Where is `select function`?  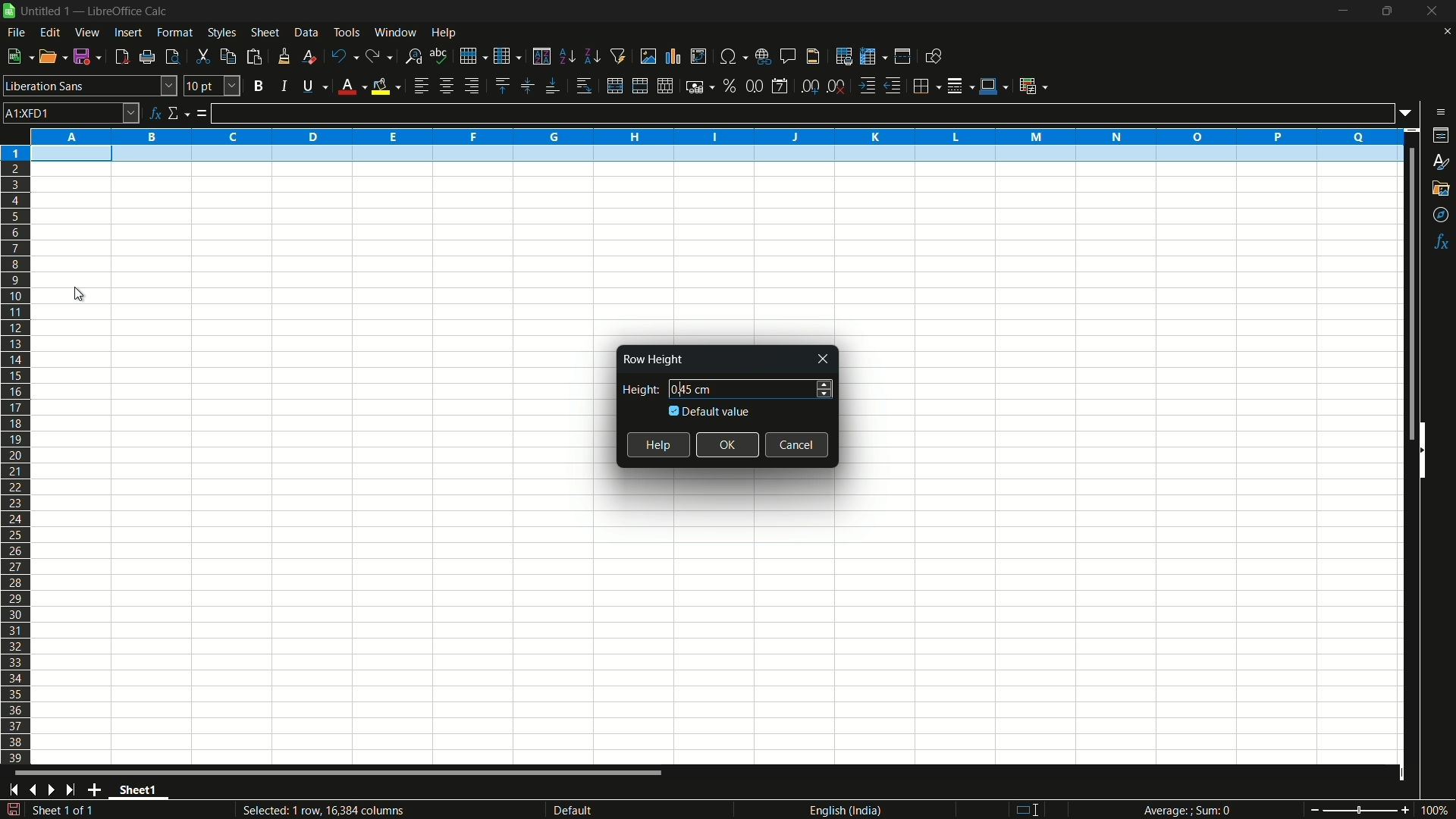 select function is located at coordinates (178, 114).